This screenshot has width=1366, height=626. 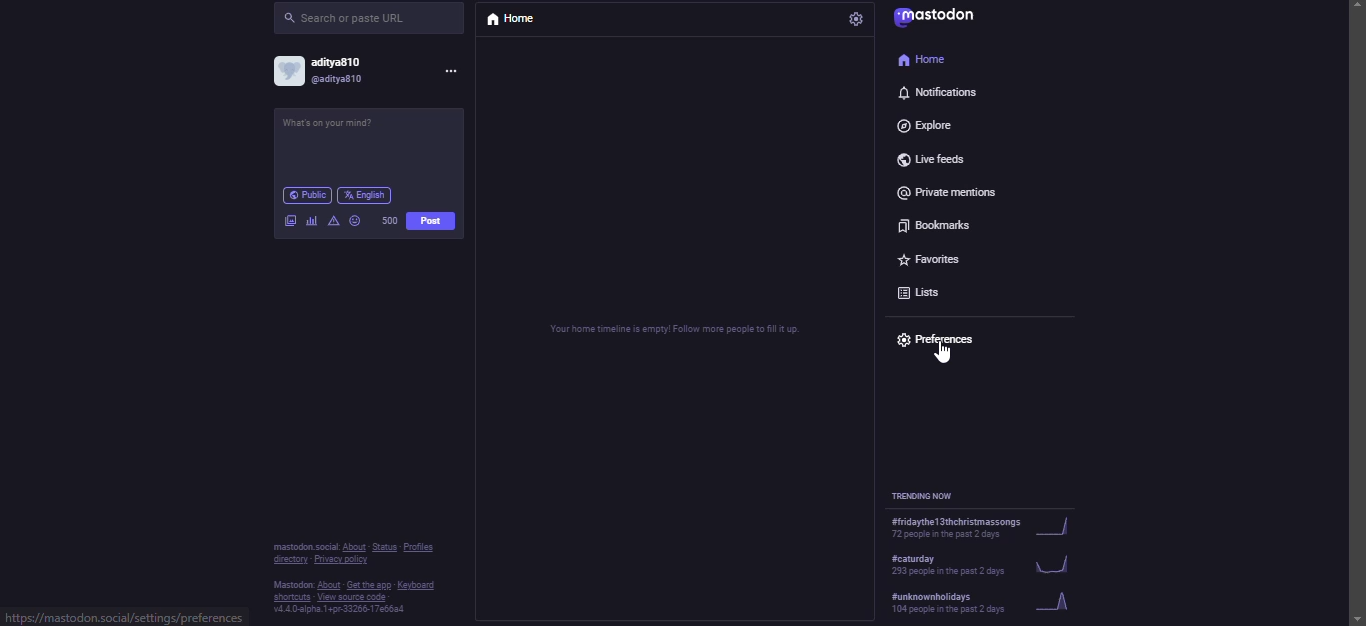 I want to click on 500, so click(x=389, y=219).